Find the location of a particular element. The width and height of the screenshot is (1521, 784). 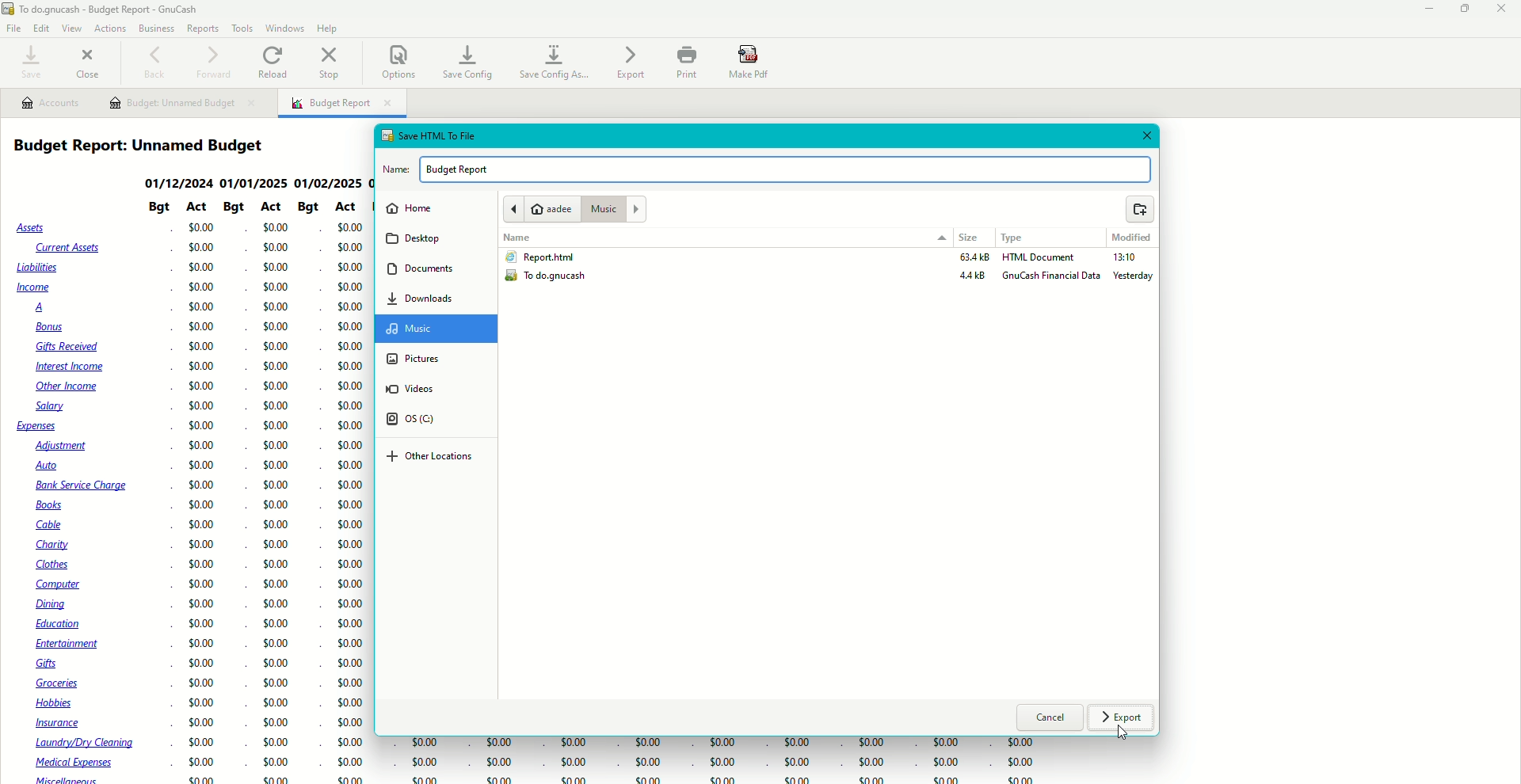

Export is located at coordinates (1123, 719).